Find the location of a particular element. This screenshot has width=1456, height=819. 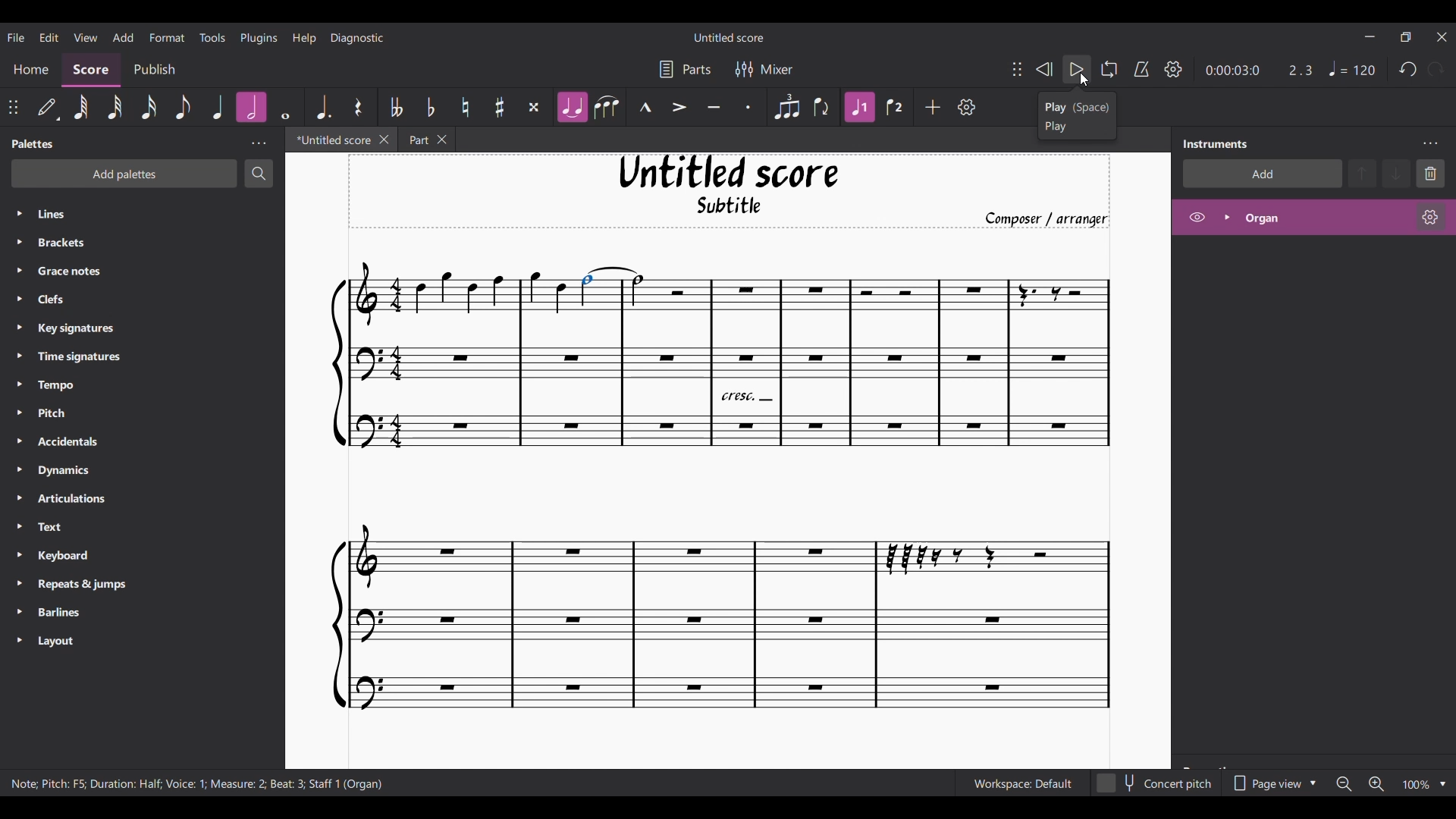

Score section, highlighted is located at coordinates (91, 71).